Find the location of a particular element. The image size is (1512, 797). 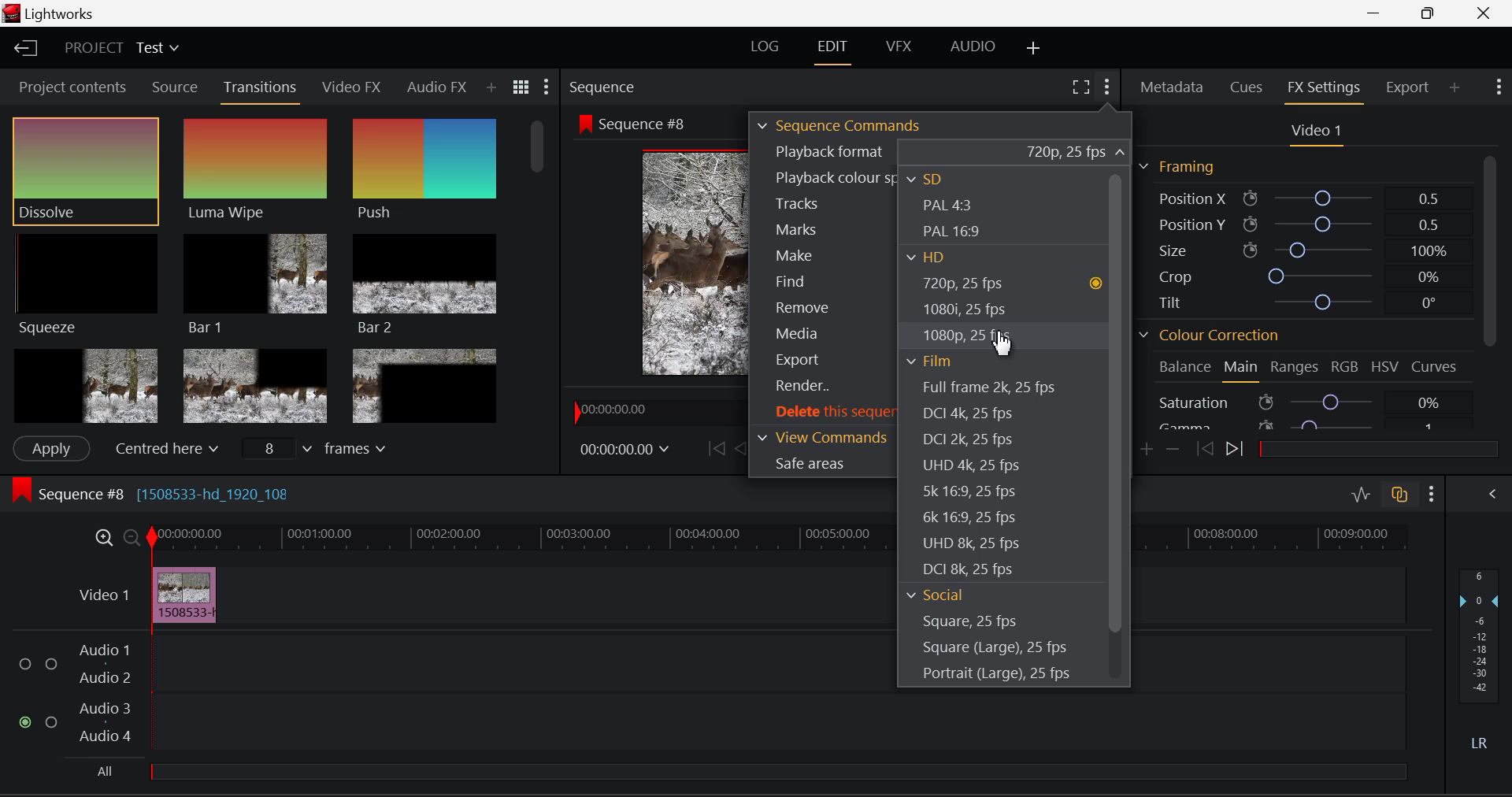

Position X is located at coordinates (1299, 197).